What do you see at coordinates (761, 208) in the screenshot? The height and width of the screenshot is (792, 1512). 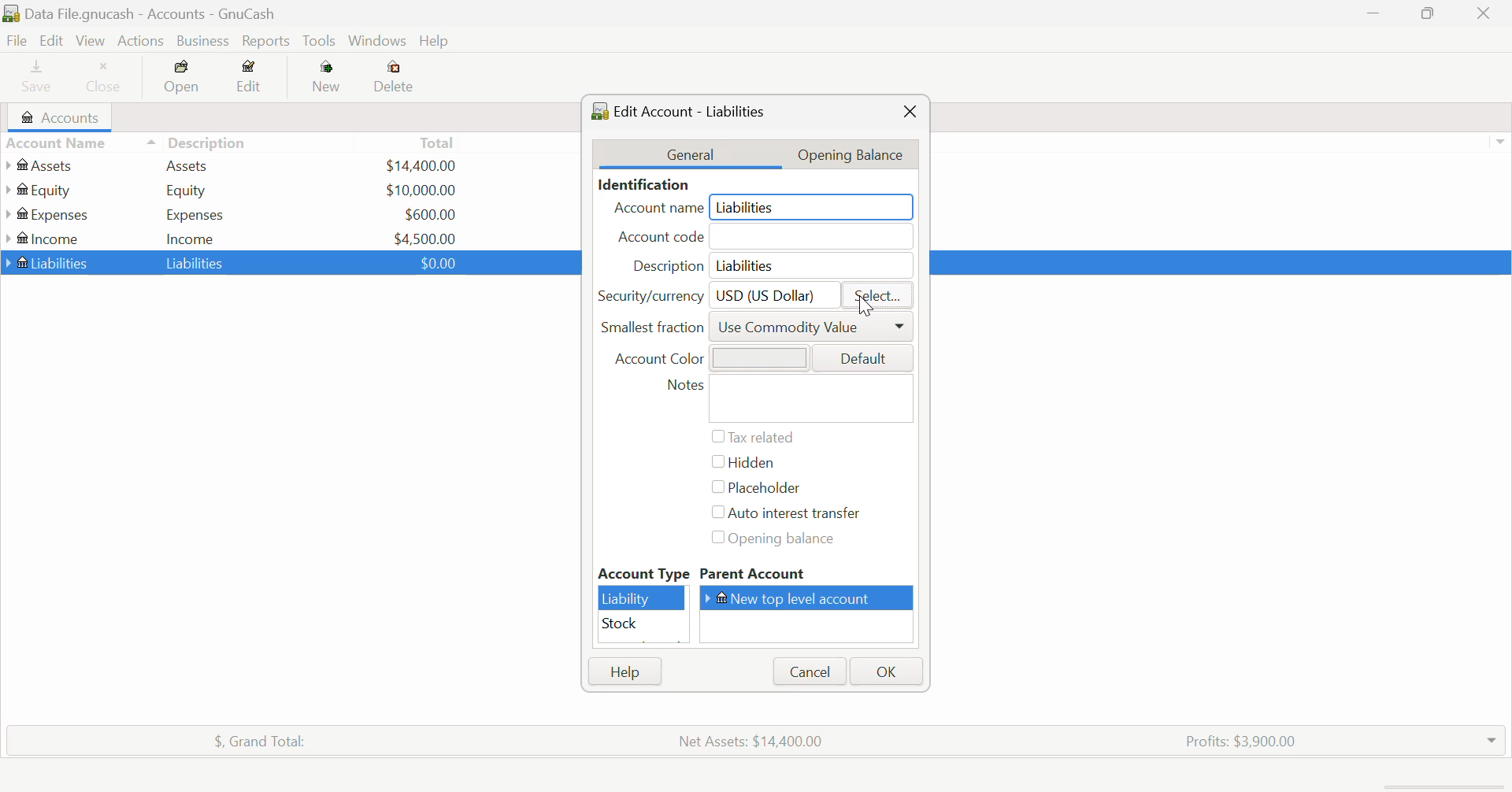 I see `Account name: Liabilities` at bounding box center [761, 208].